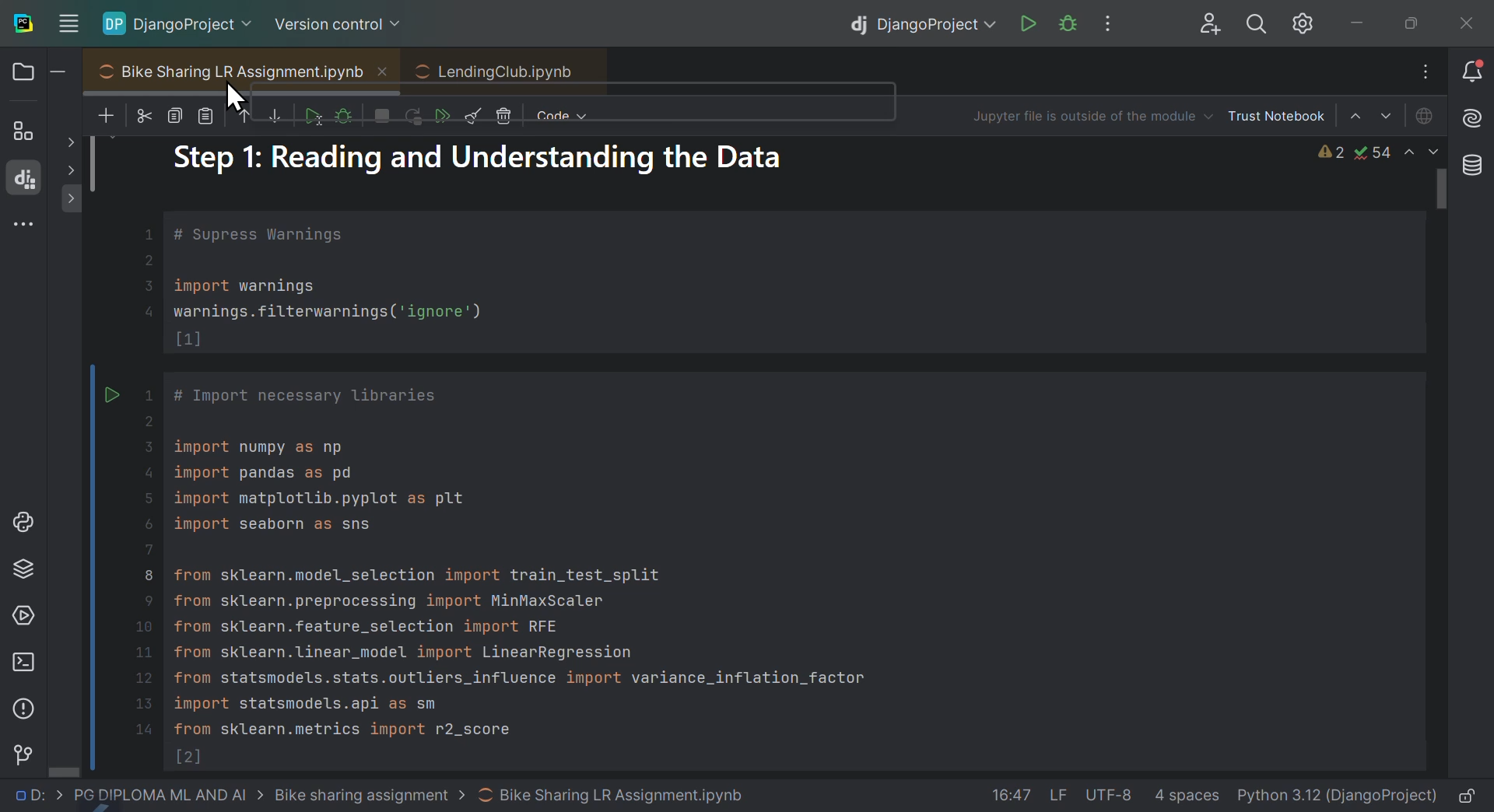 The width and height of the screenshot is (1494, 812). Describe the element at coordinates (28, 227) in the screenshot. I see `More windows tools` at that location.